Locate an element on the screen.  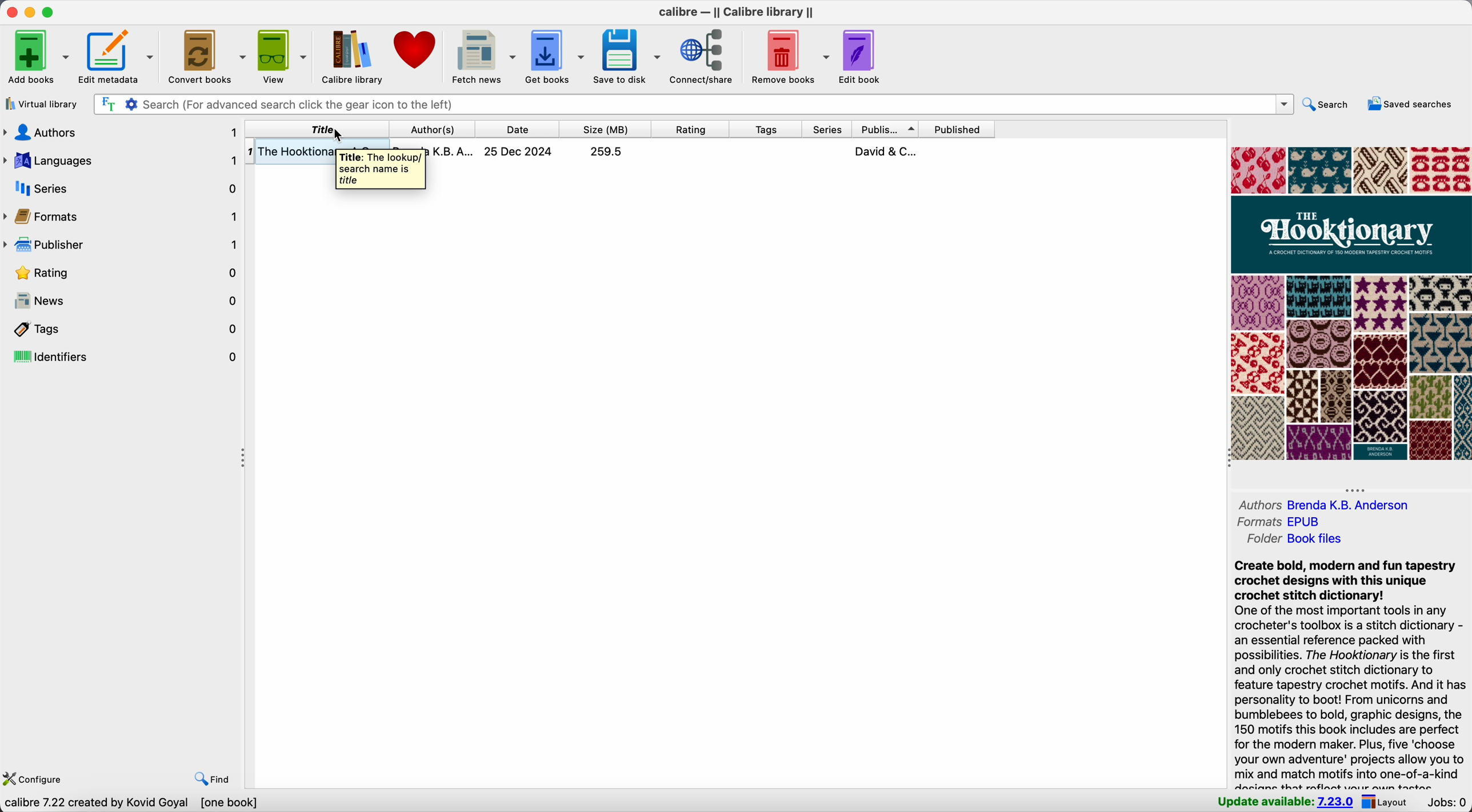
edit metadata is located at coordinates (122, 57).